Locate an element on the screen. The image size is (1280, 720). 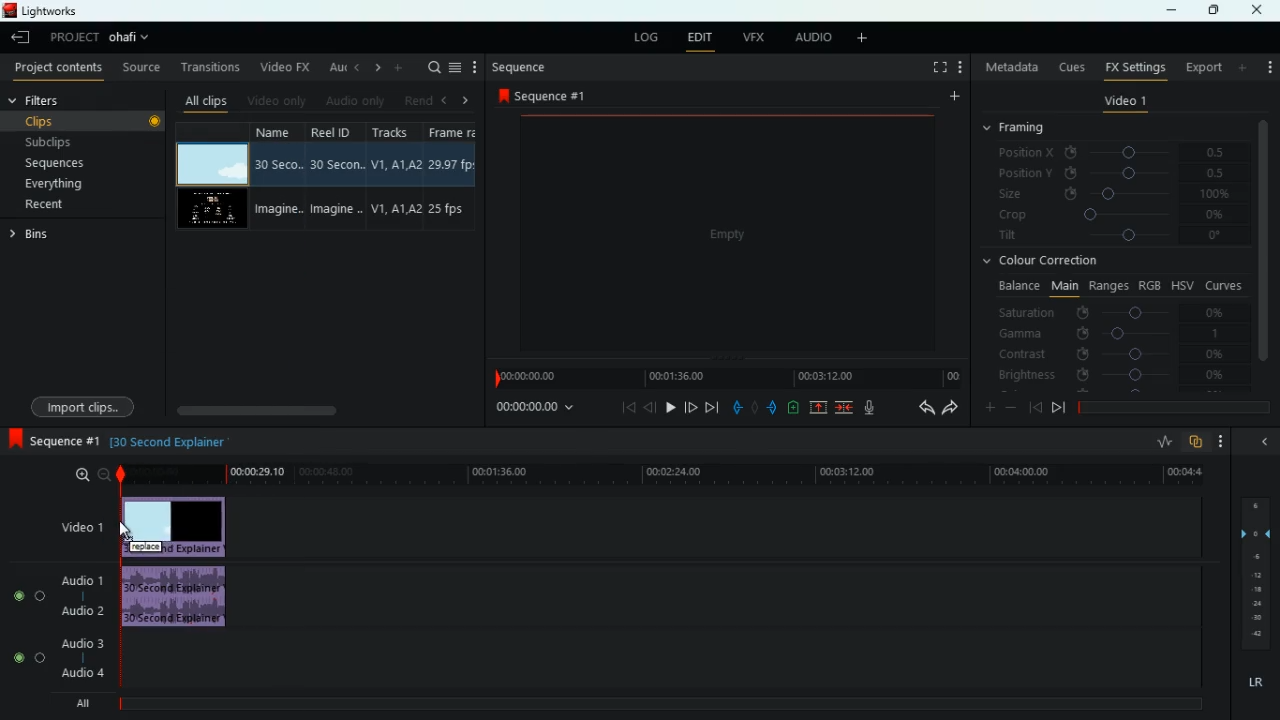
play is located at coordinates (671, 407).